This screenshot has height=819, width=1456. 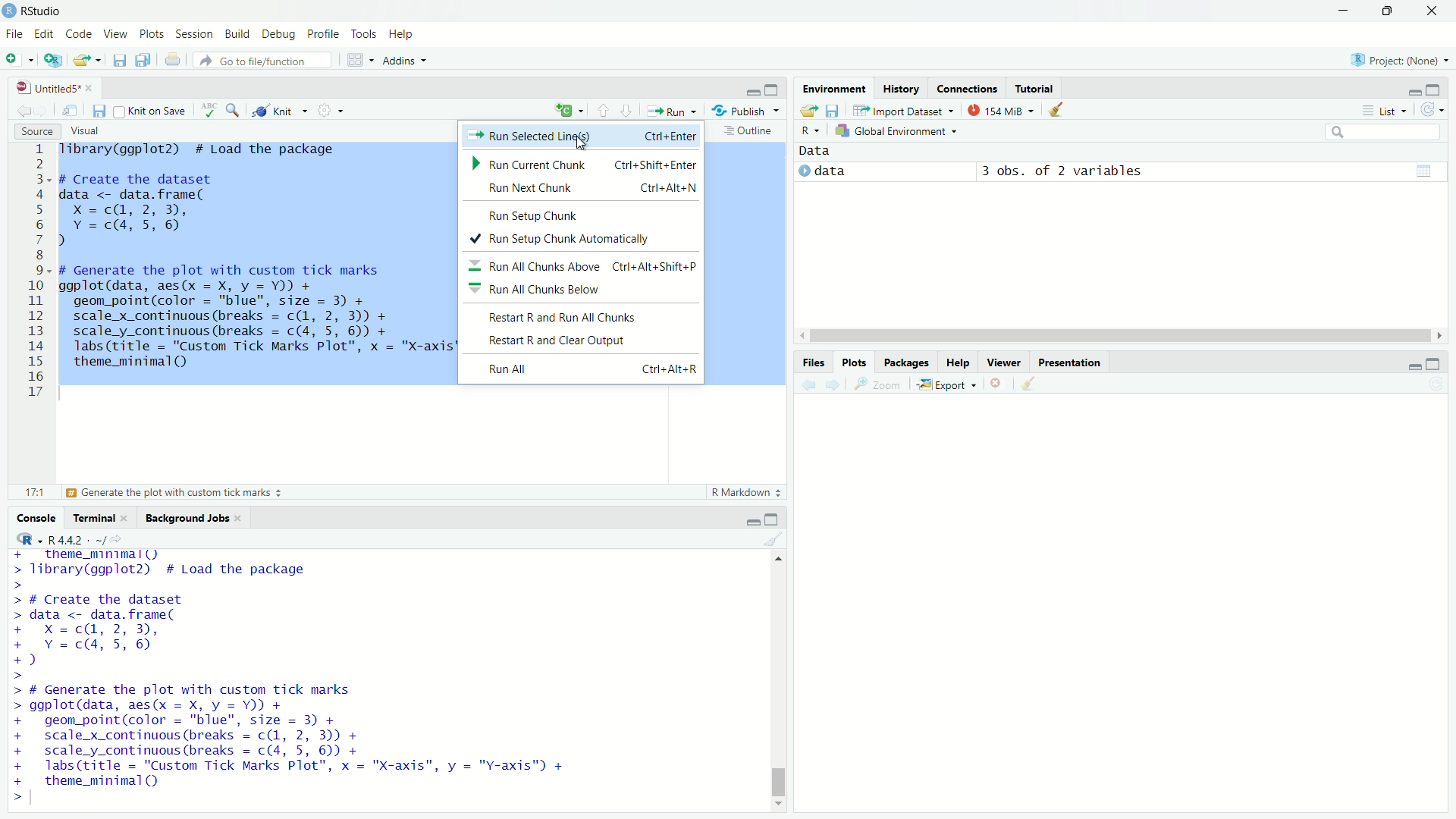 I want to click on profile, so click(x=323, y=34).